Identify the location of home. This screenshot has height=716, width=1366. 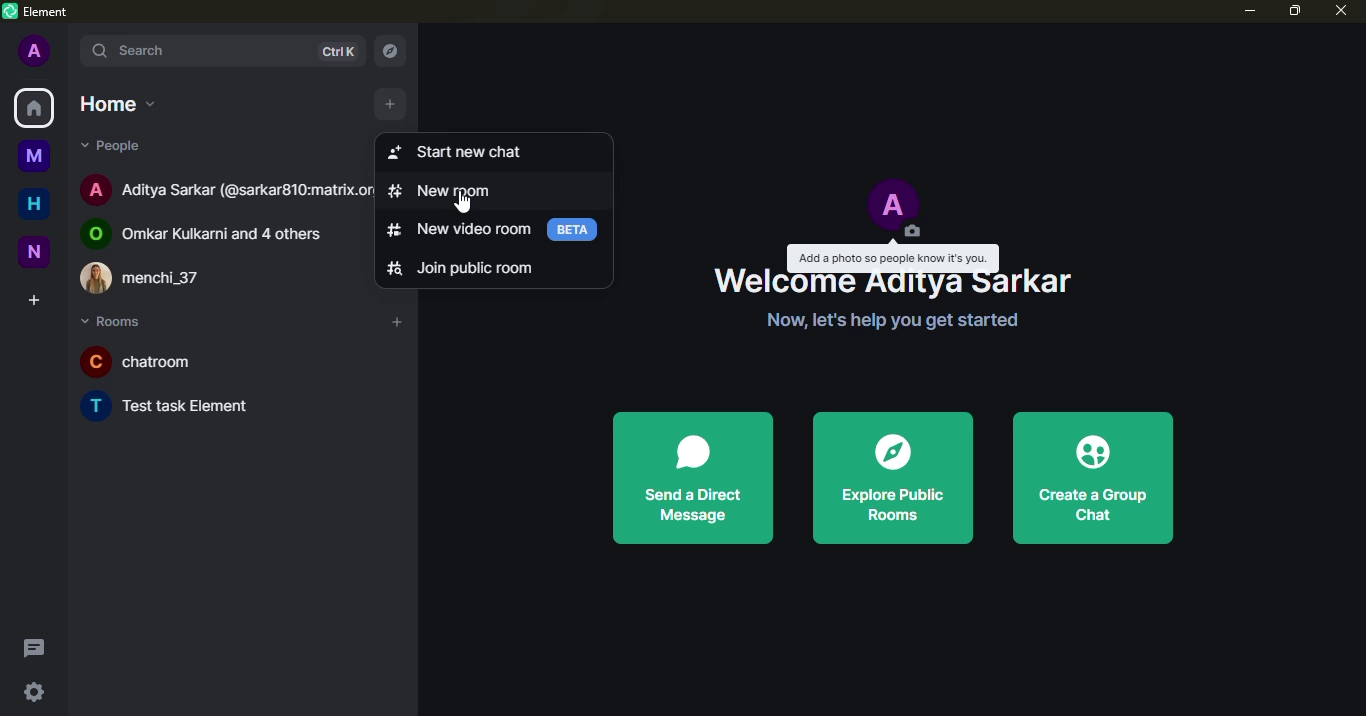
(120, 105).